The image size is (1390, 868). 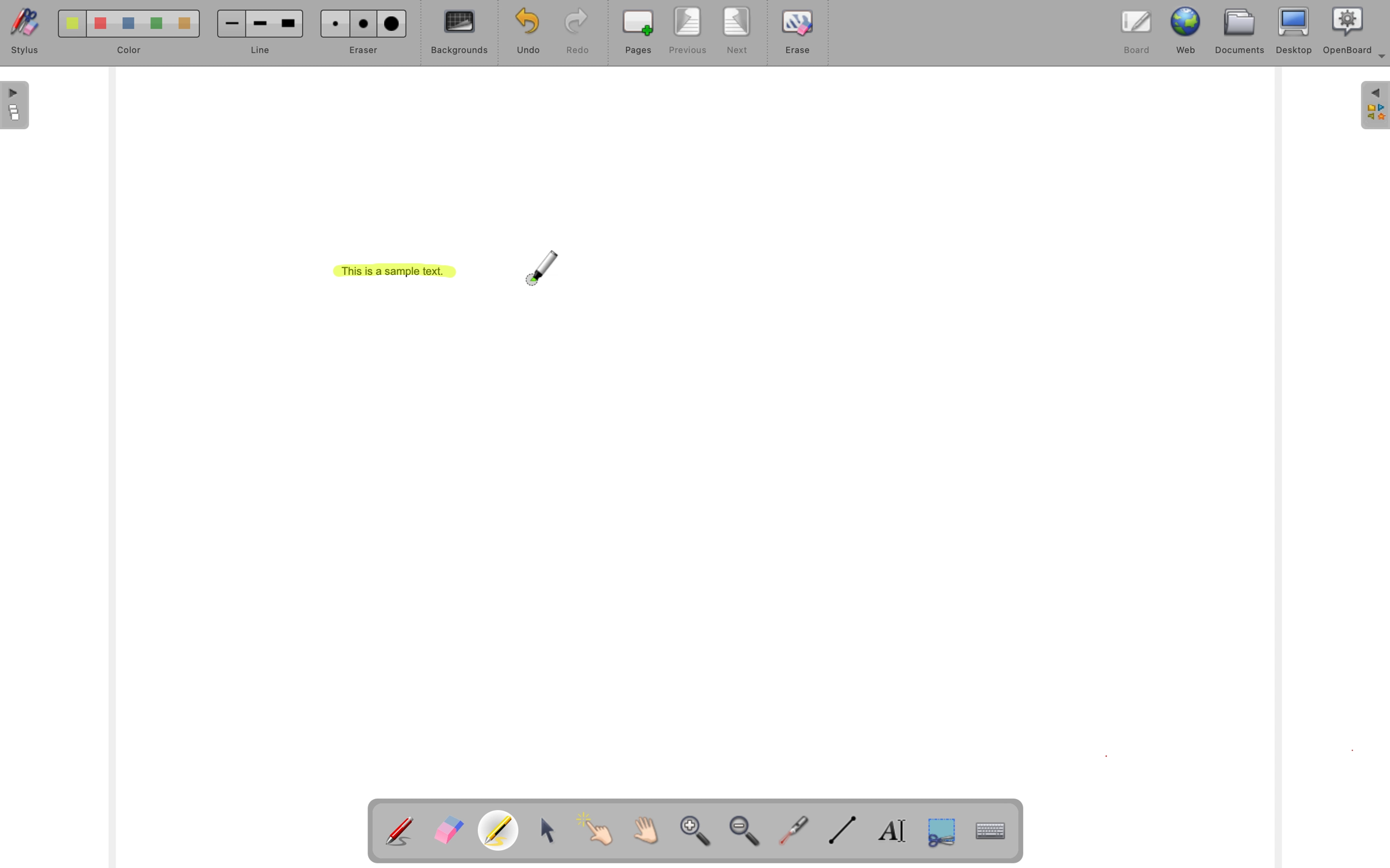 I want to click on board, so click(x=1136, y=32).